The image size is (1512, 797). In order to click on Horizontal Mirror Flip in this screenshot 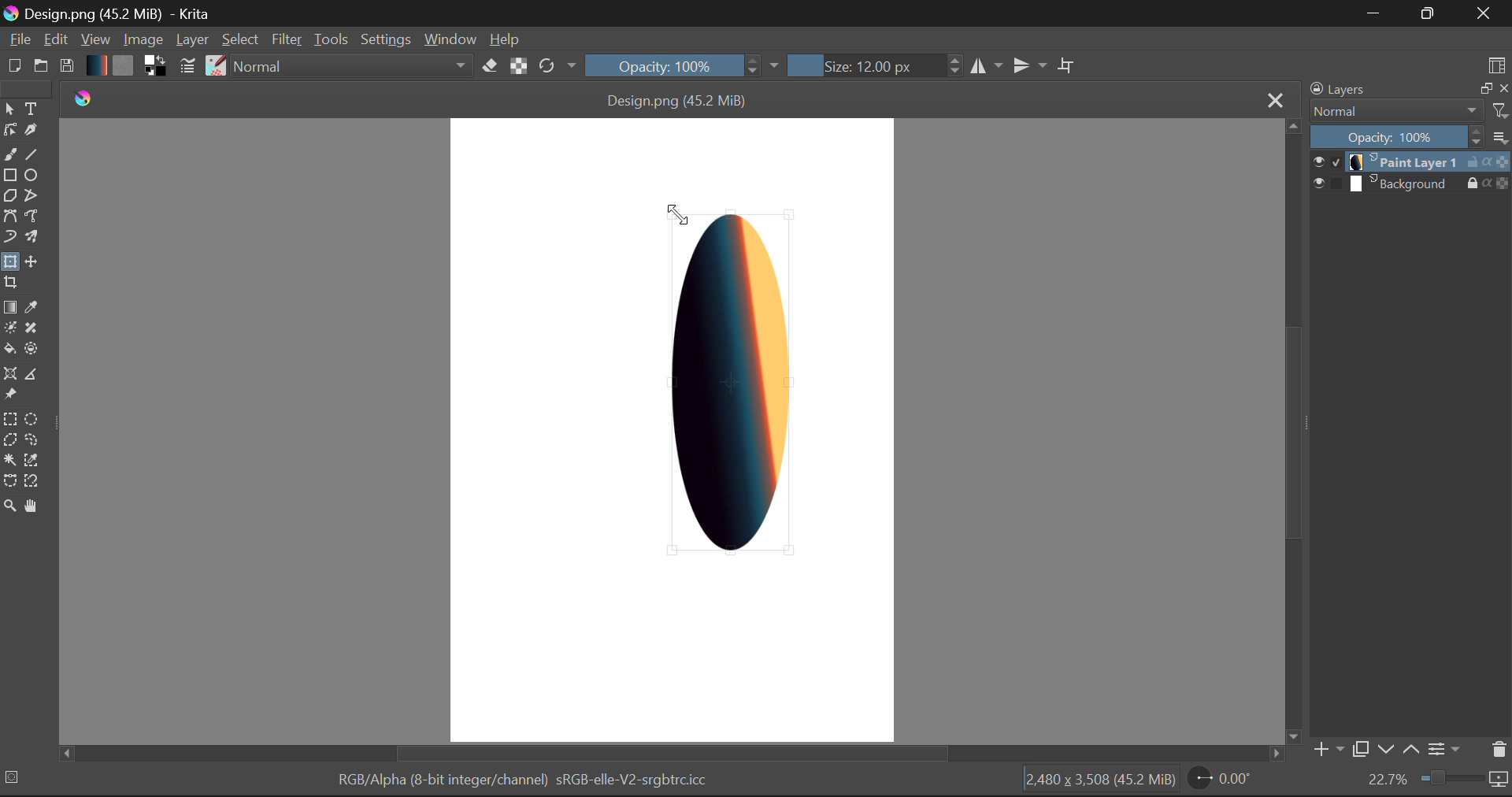, I will do `click(1026, 65)`.